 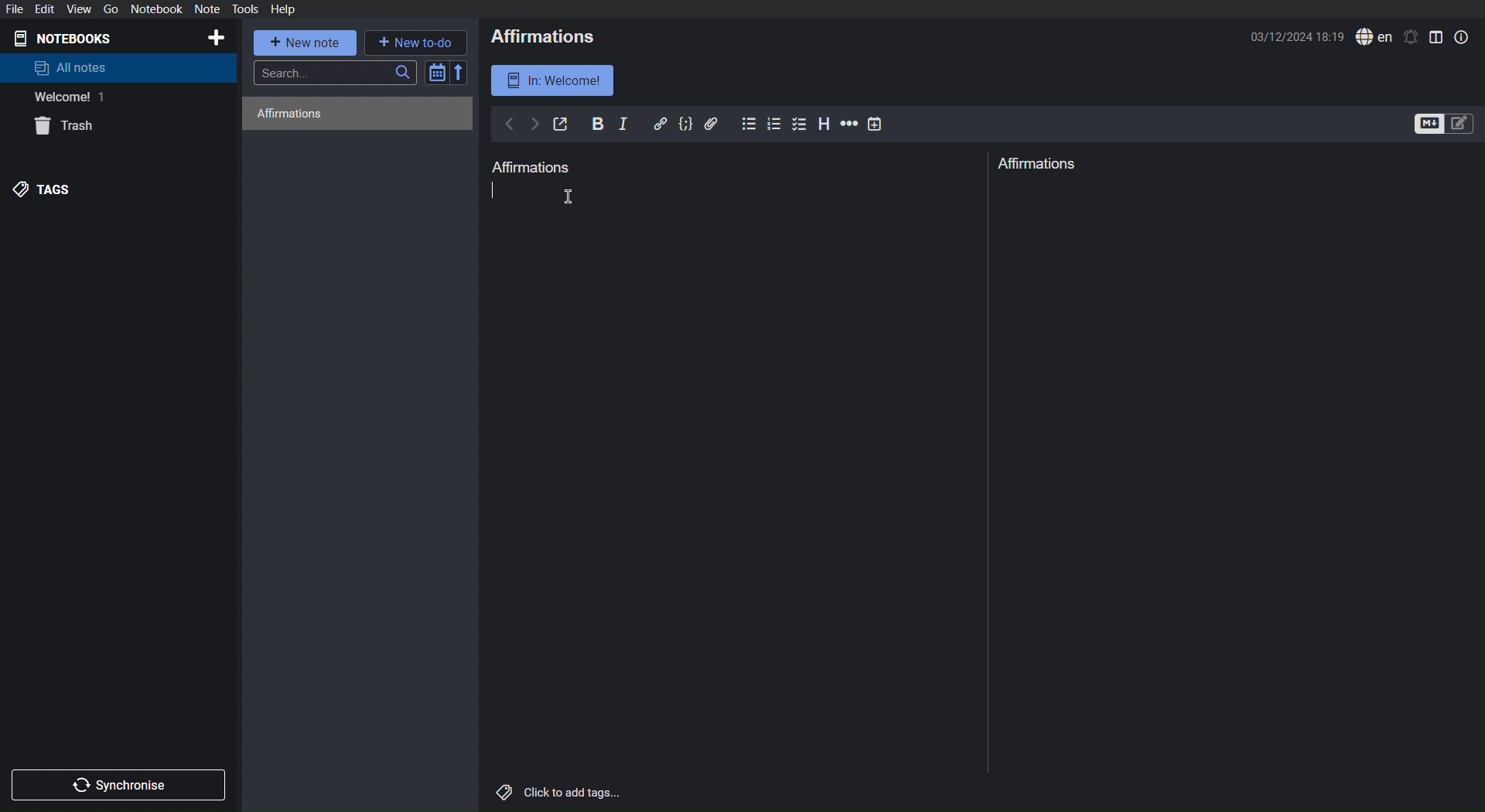 What do you see at coordinates (447, 72) in the screenshot?
I see `Sorting` at bounding box center [447, 72].